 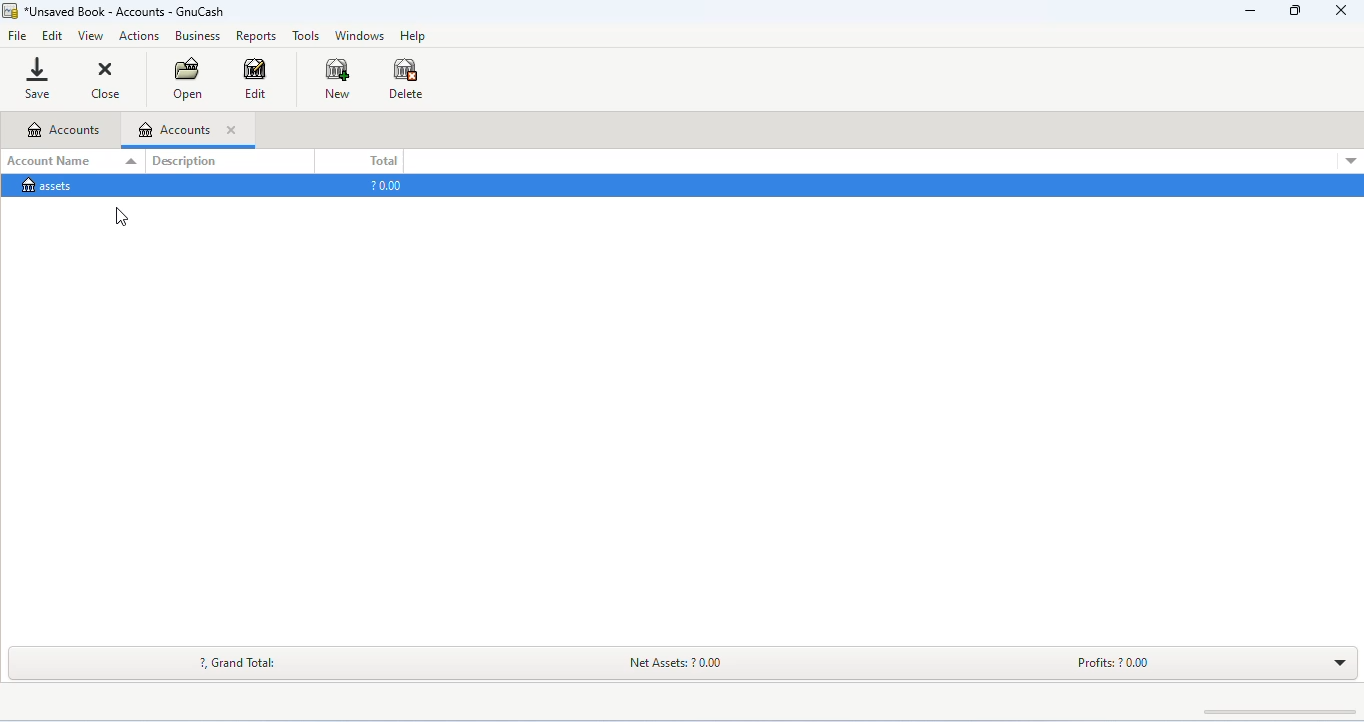 I want to click on profits: ? 0.00, so click(x=1107, y=663).